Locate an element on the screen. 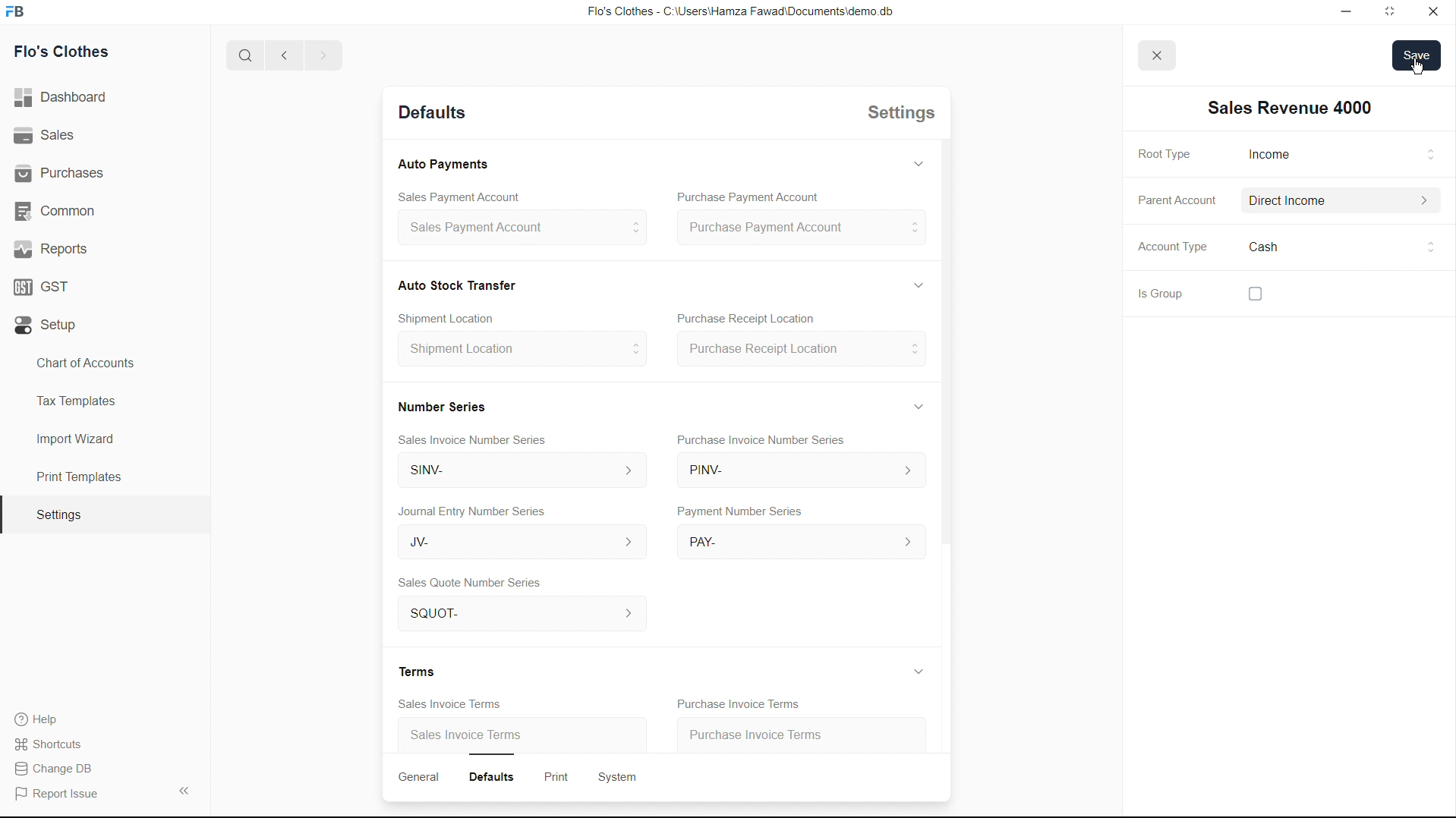 Image resolution: width=1456 pixels, height=818 pixels.  is located at coordinates (1423, 156).